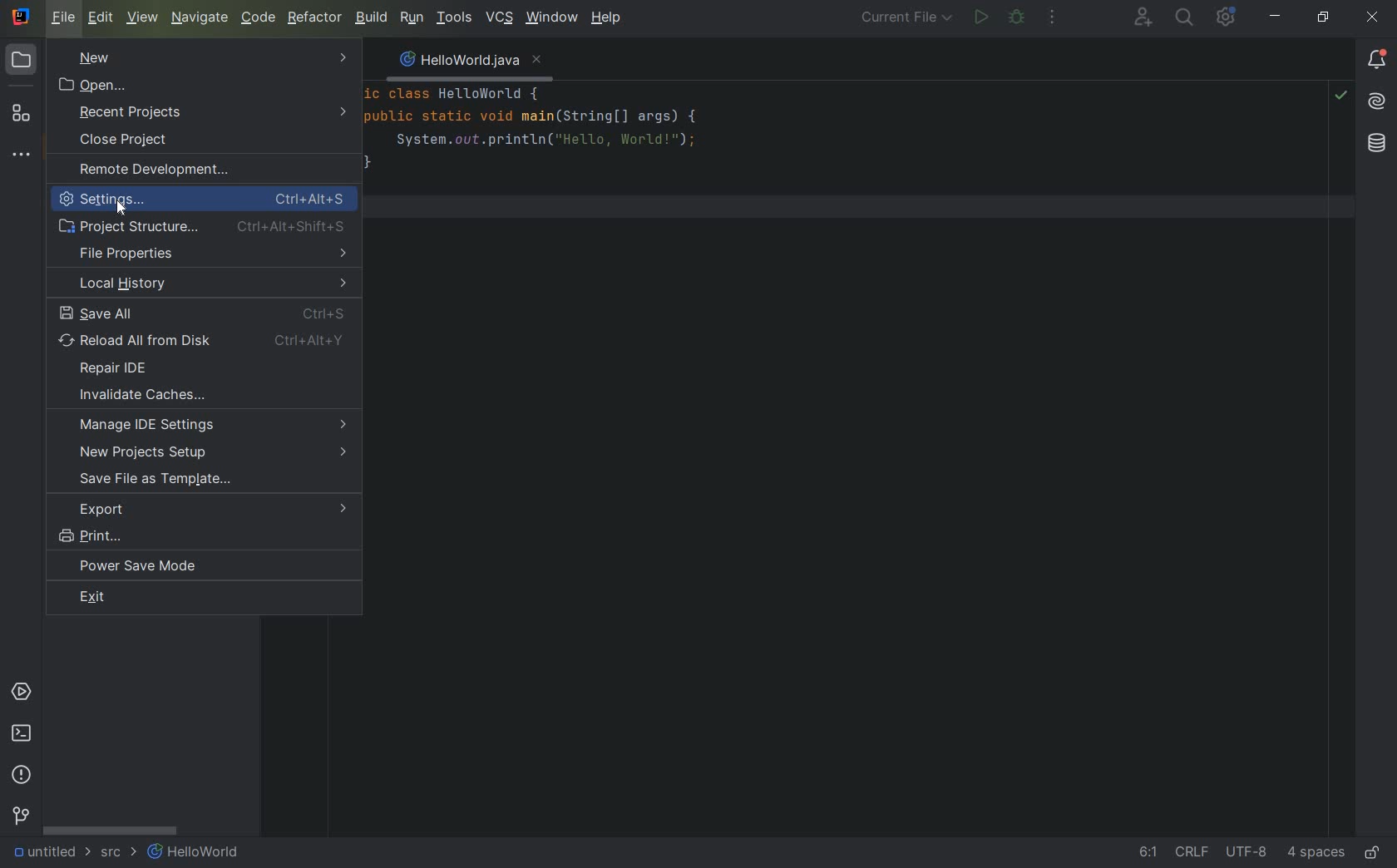  Describe the element at coordinates (195, 853) in the screenshot. I see `HelloWorld` at that location.